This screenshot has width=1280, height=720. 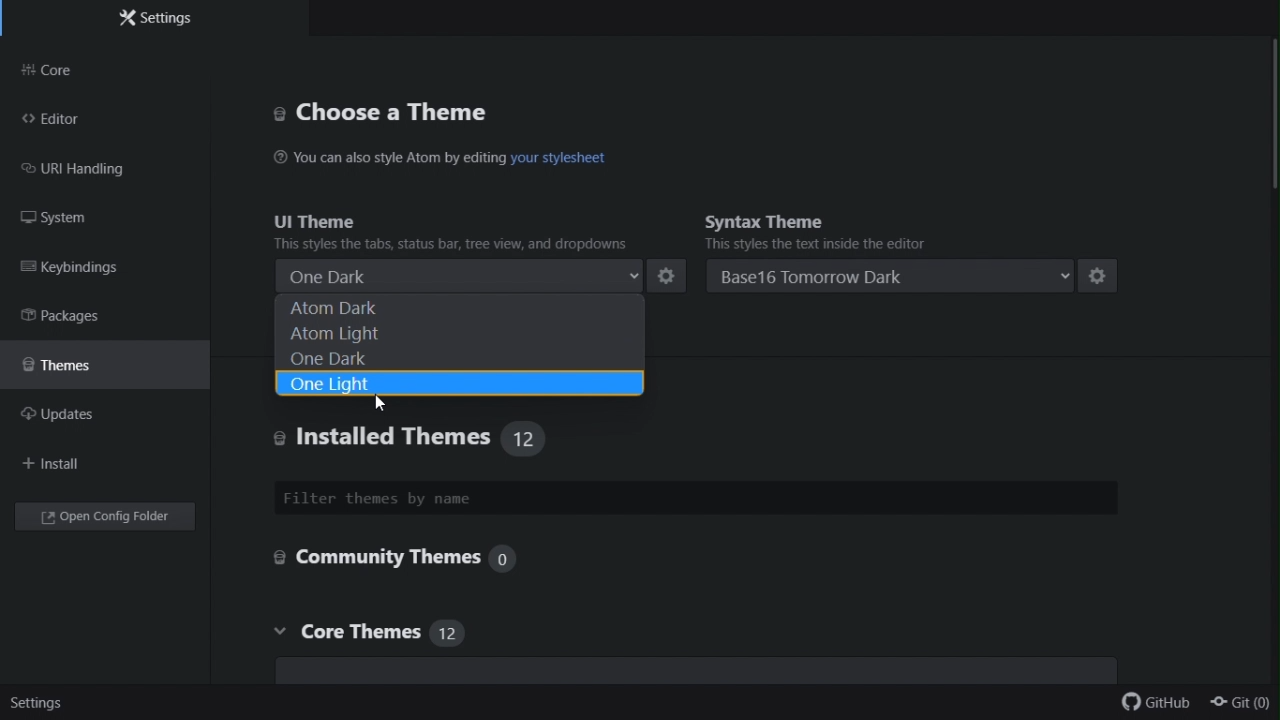 I want to click on one dark, so click(x=458, y=277).